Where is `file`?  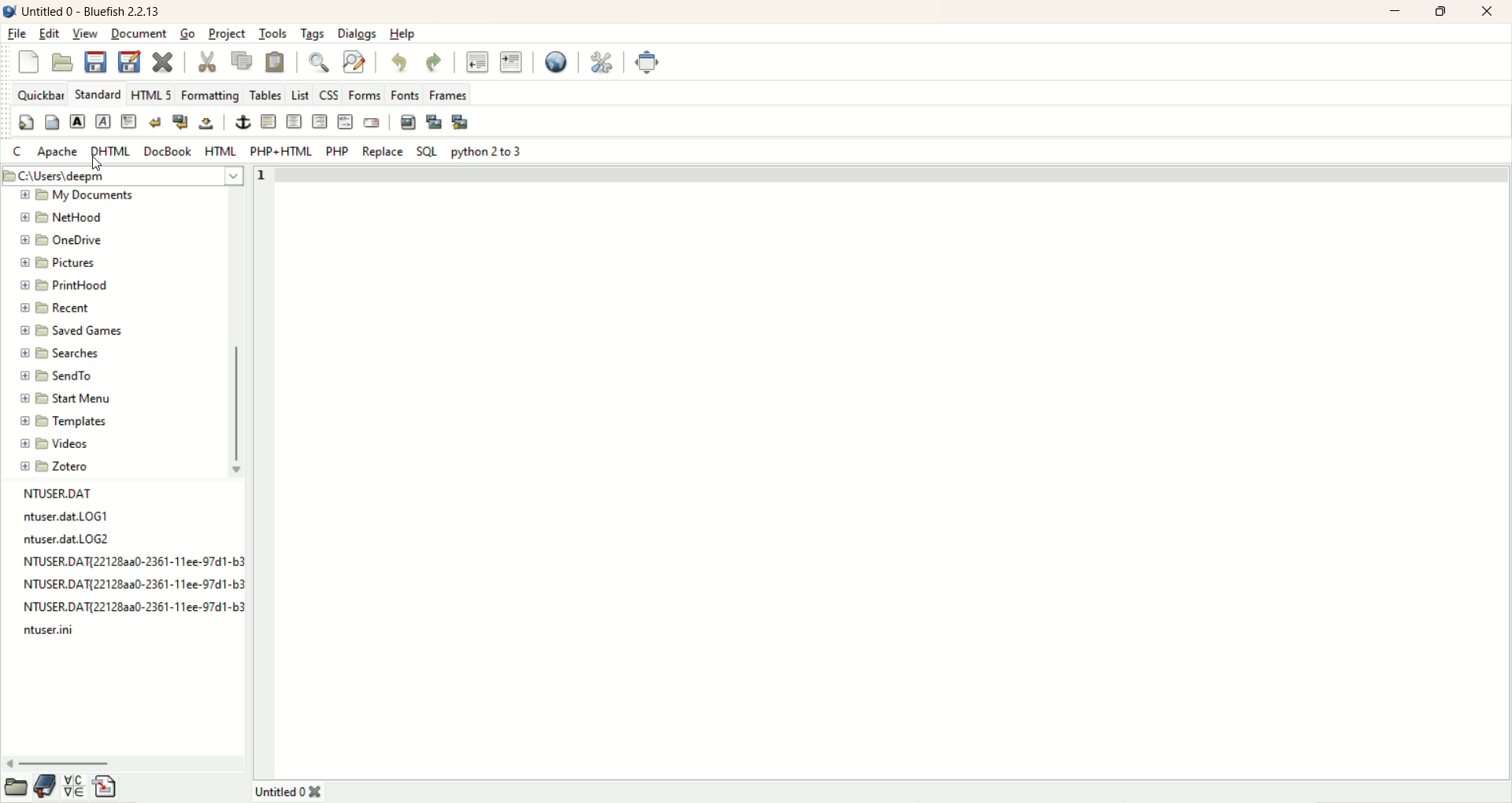 file is located at coordinates (72, 538).